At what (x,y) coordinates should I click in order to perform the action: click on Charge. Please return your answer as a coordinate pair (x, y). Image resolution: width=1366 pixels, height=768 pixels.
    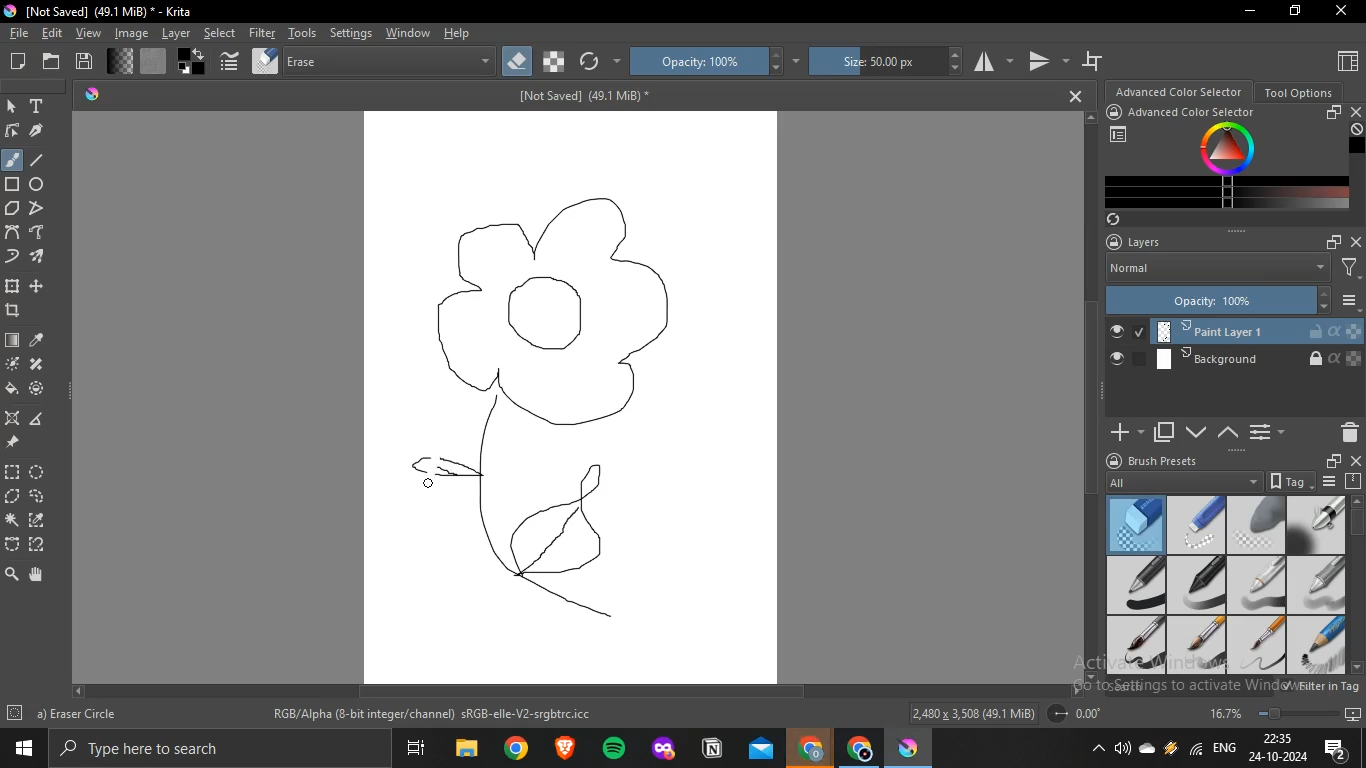
    Looking at the image, I should click on (1170, 747).